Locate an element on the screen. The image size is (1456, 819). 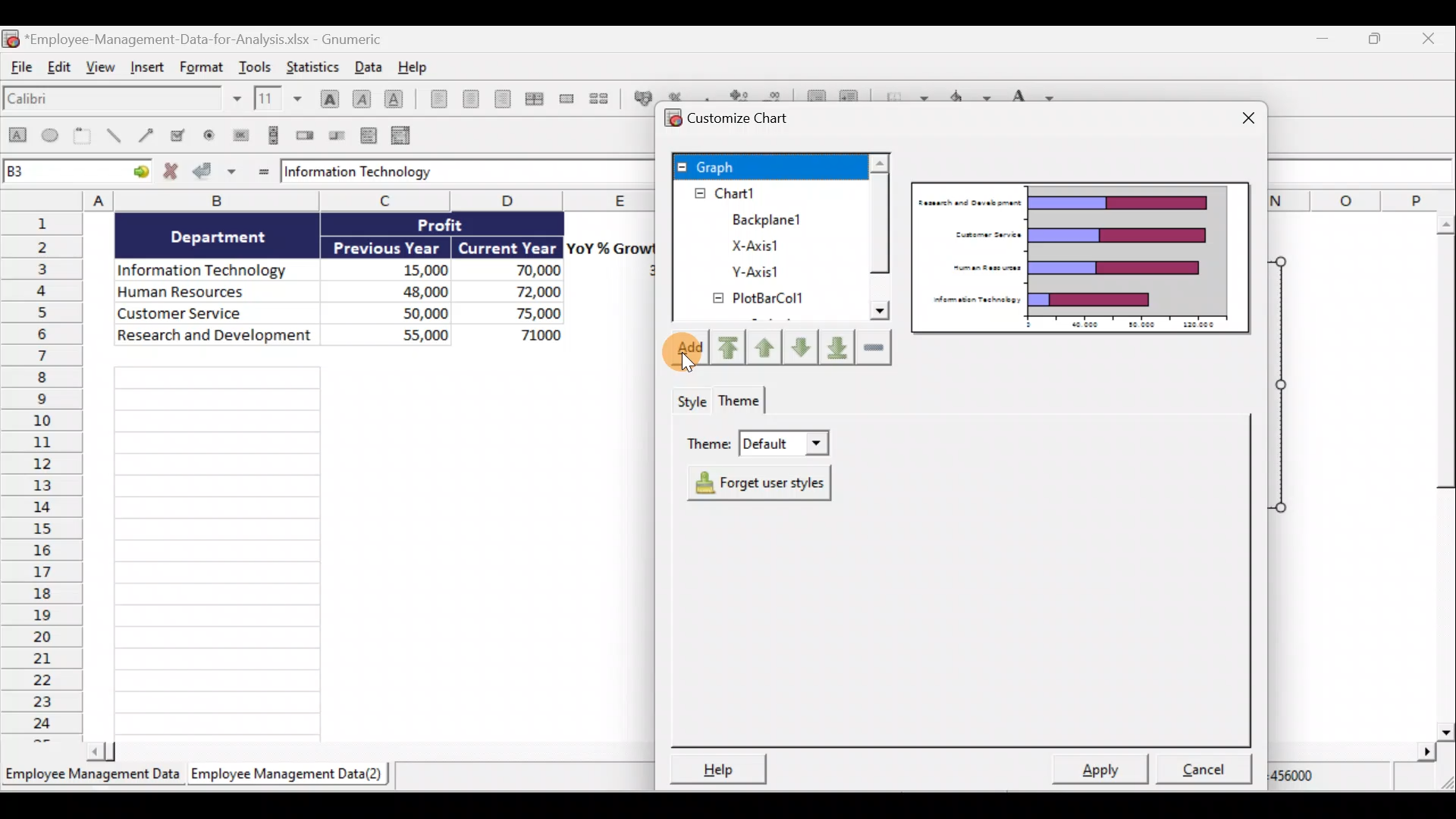
Enter formula is located at coordinates (261, 171).